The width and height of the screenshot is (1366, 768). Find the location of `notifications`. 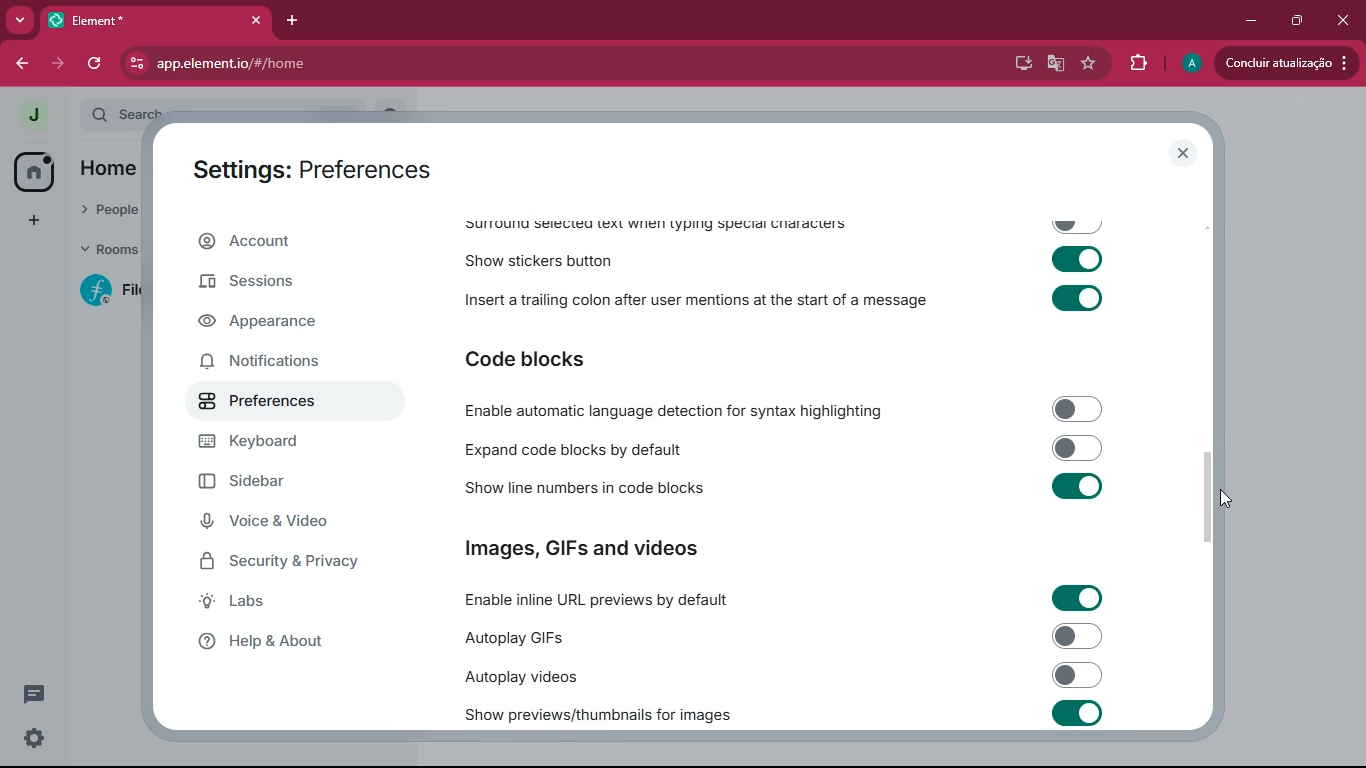

notifications is located at coordinates (275, 365).